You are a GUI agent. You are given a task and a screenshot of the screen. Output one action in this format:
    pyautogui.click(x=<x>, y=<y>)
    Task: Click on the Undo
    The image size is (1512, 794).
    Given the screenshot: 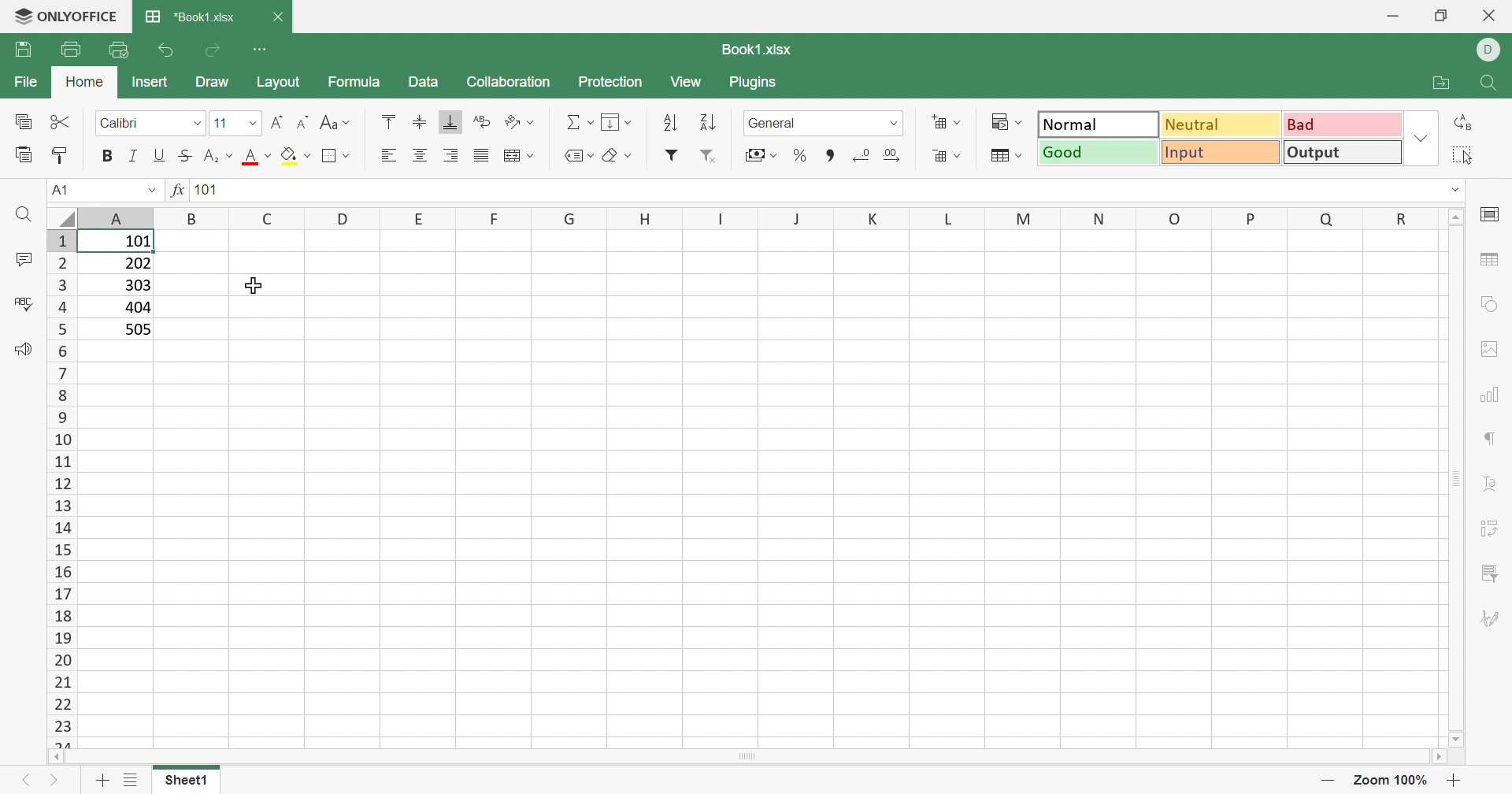 What is the action you would take?
    pyautogui.click(x=164, y=47)
    